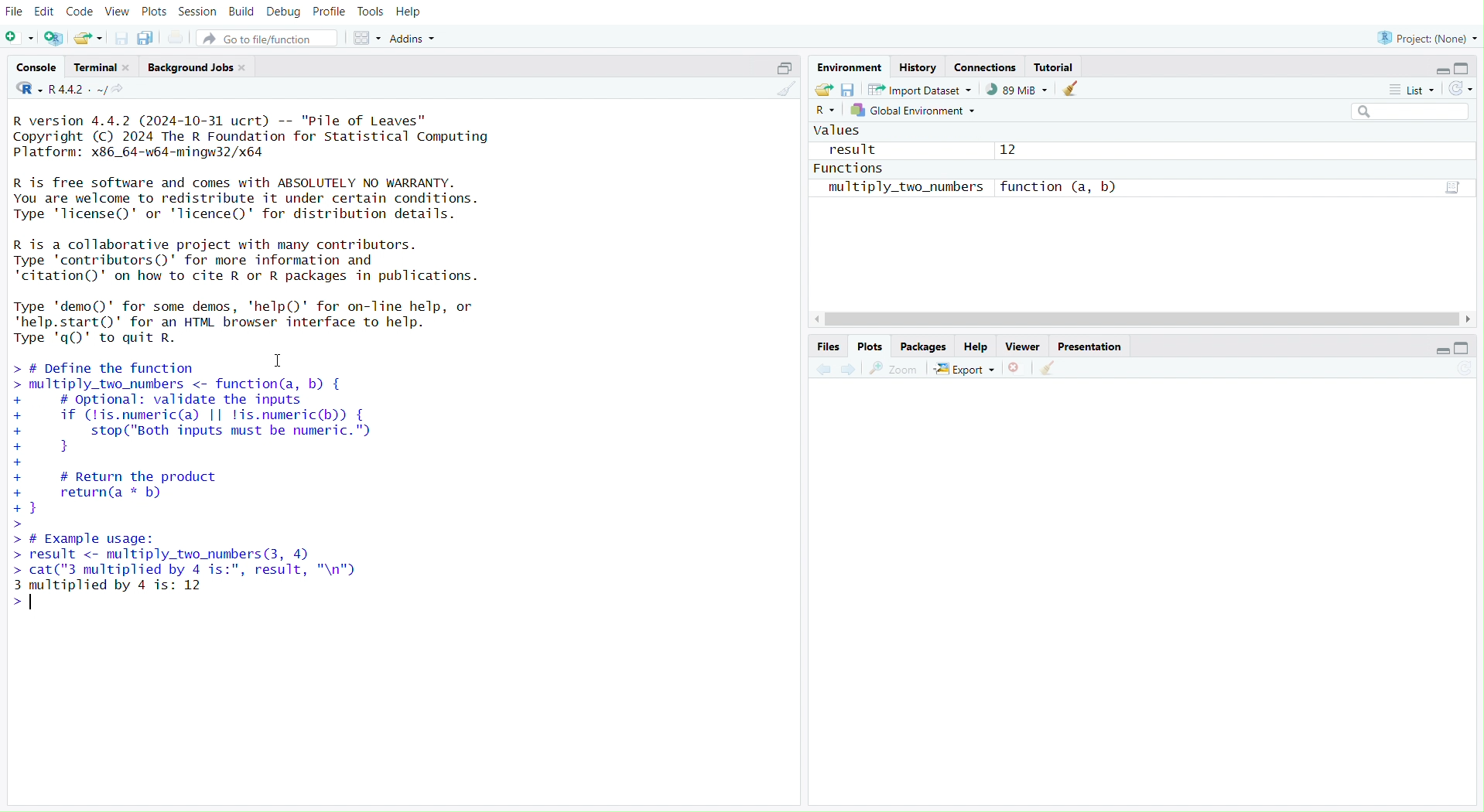  Describe the element at coordinates (267, 38) in the screenshot. I see `Go to file/function` at that location.